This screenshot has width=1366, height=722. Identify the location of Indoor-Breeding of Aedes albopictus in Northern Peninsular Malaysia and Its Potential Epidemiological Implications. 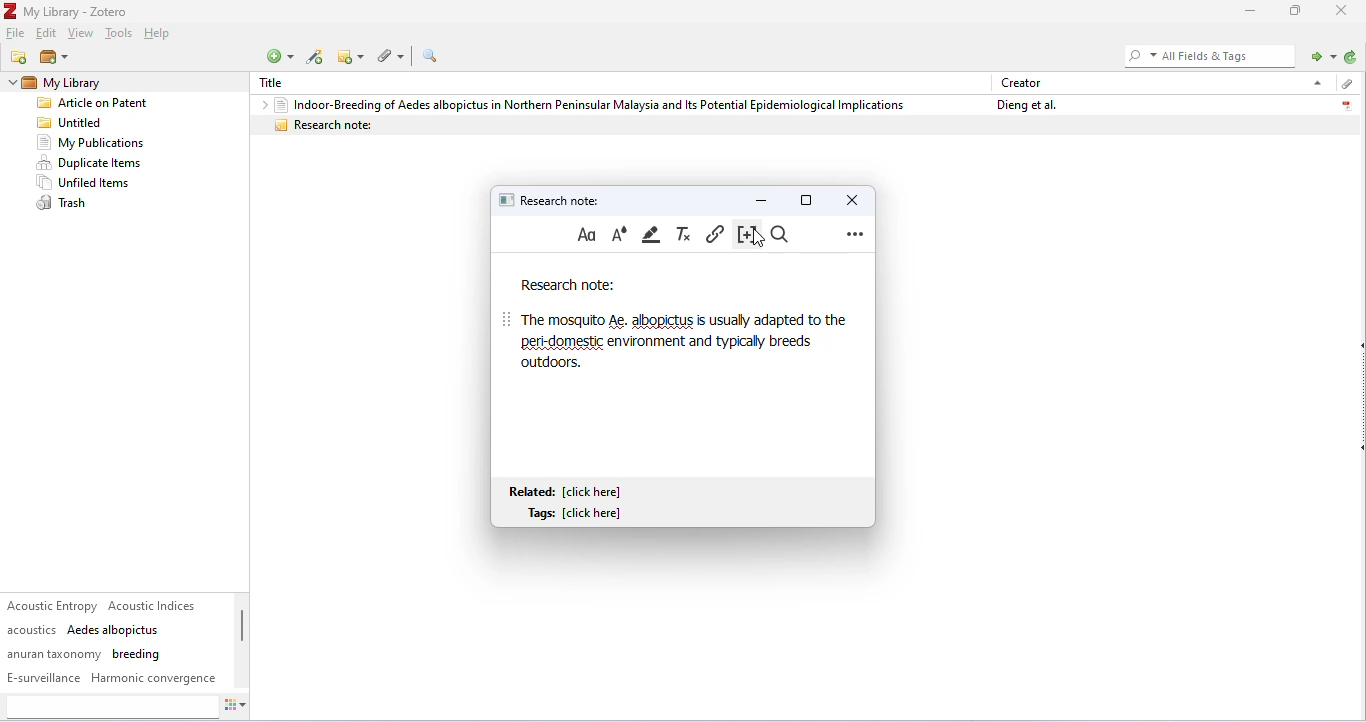
(589, 104).